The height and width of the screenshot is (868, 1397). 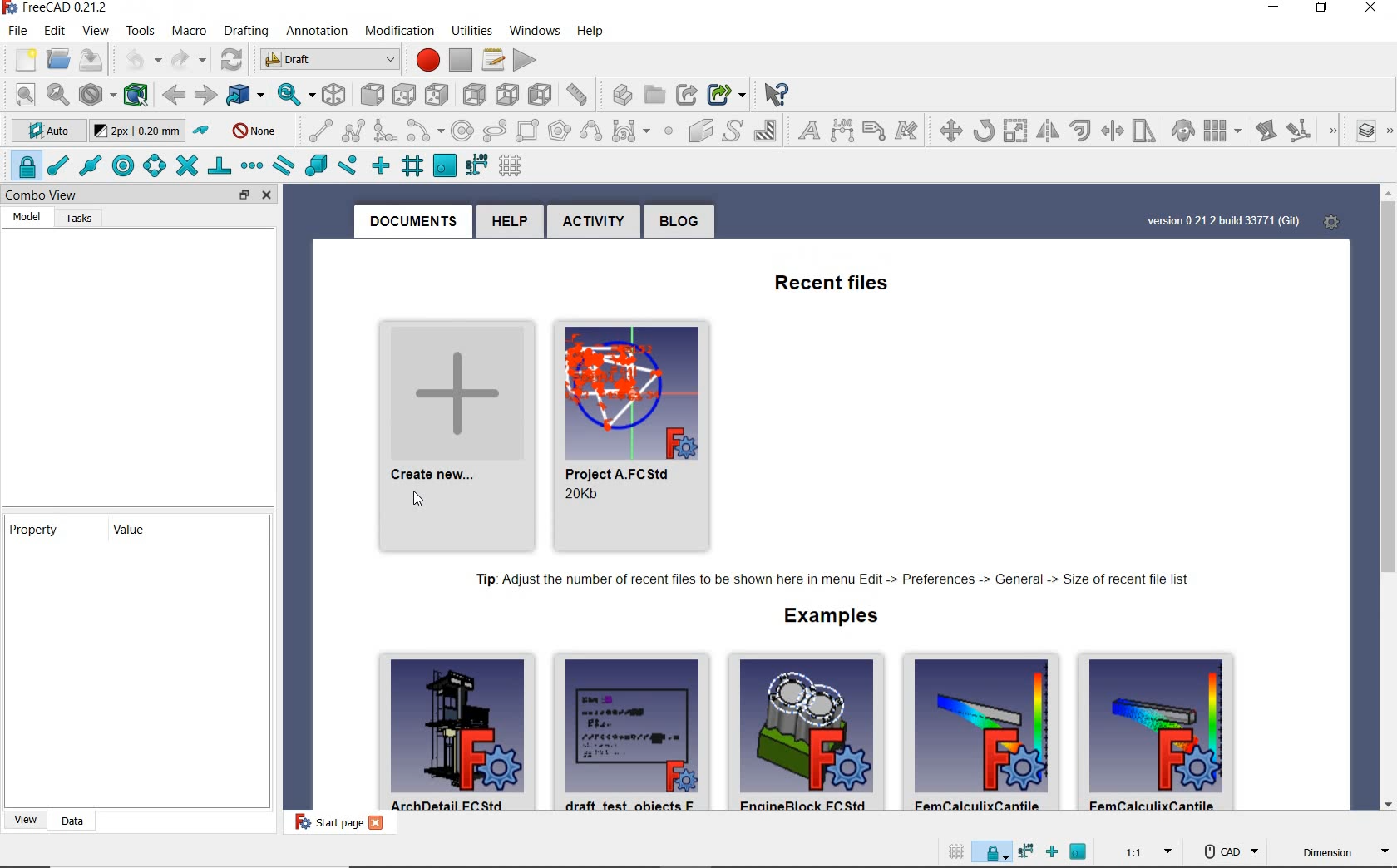 What do you see at coordinates (984, 130) in the screenshot?
I see `rotate` at bounding box center [984, 130].